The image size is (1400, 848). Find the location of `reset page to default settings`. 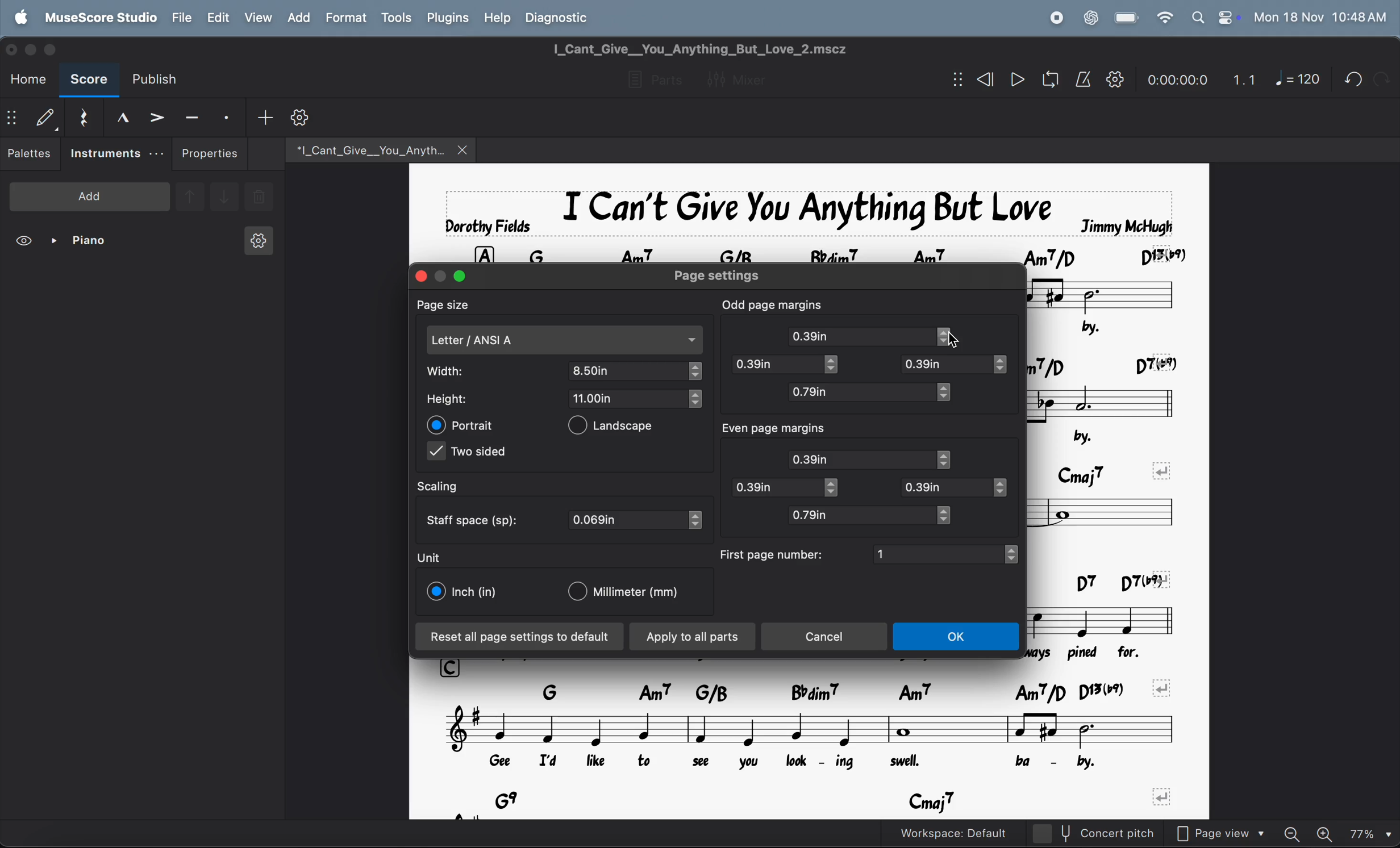

reset page to default settings is located at coordinates (520, 637).